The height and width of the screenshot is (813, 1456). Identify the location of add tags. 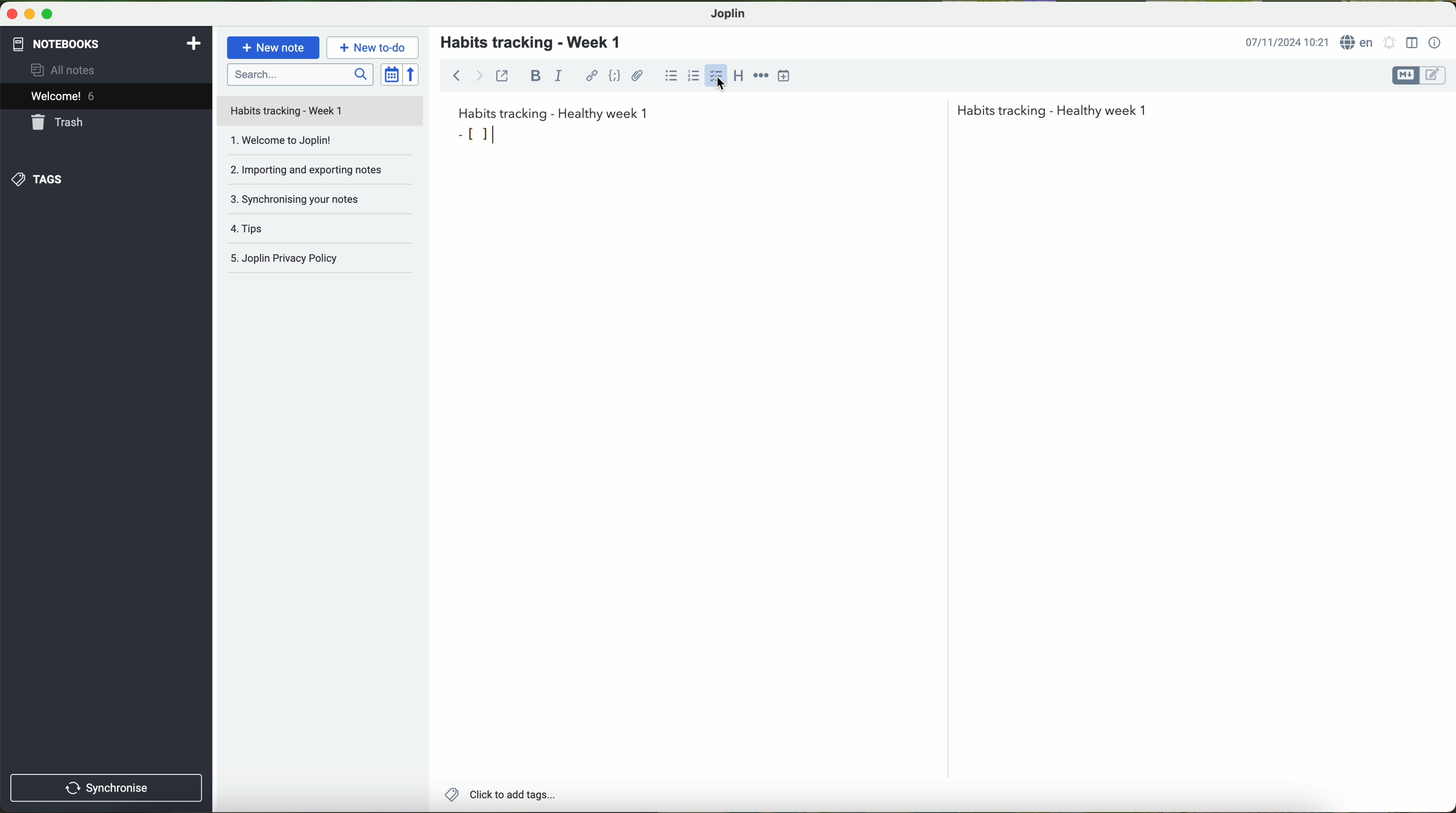
(497, 795).